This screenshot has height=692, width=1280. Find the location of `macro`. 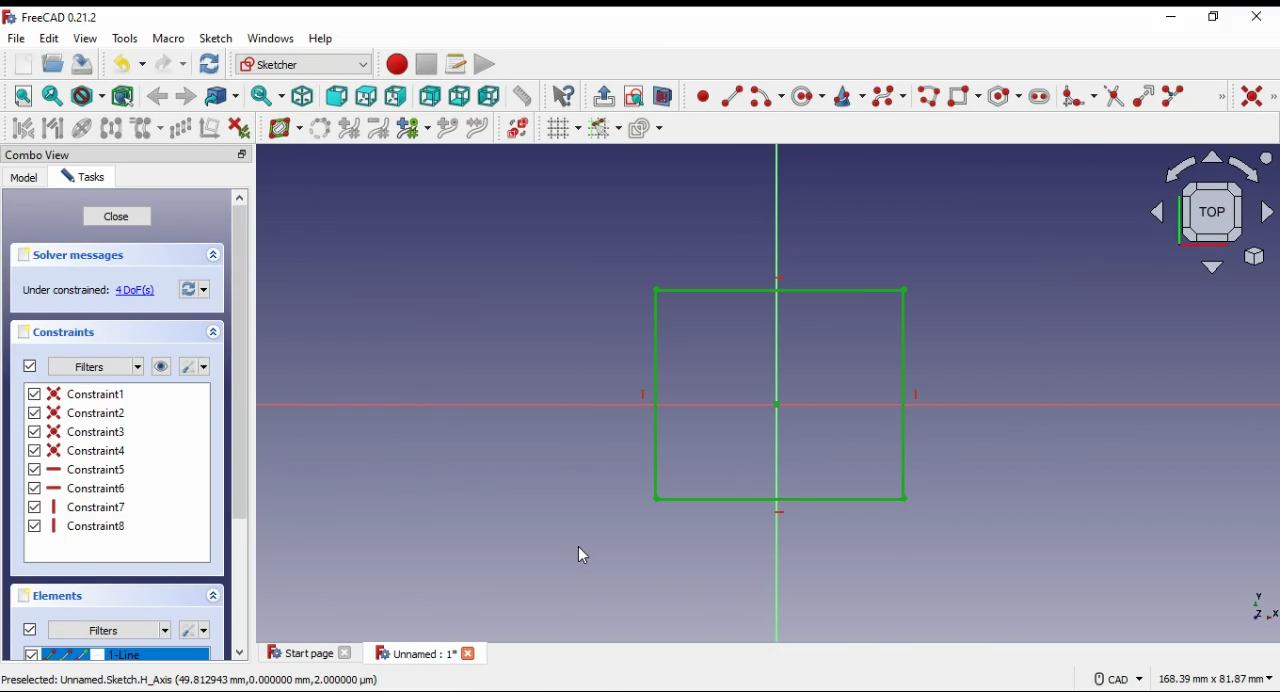

macro is located at coordinates (169, 38).